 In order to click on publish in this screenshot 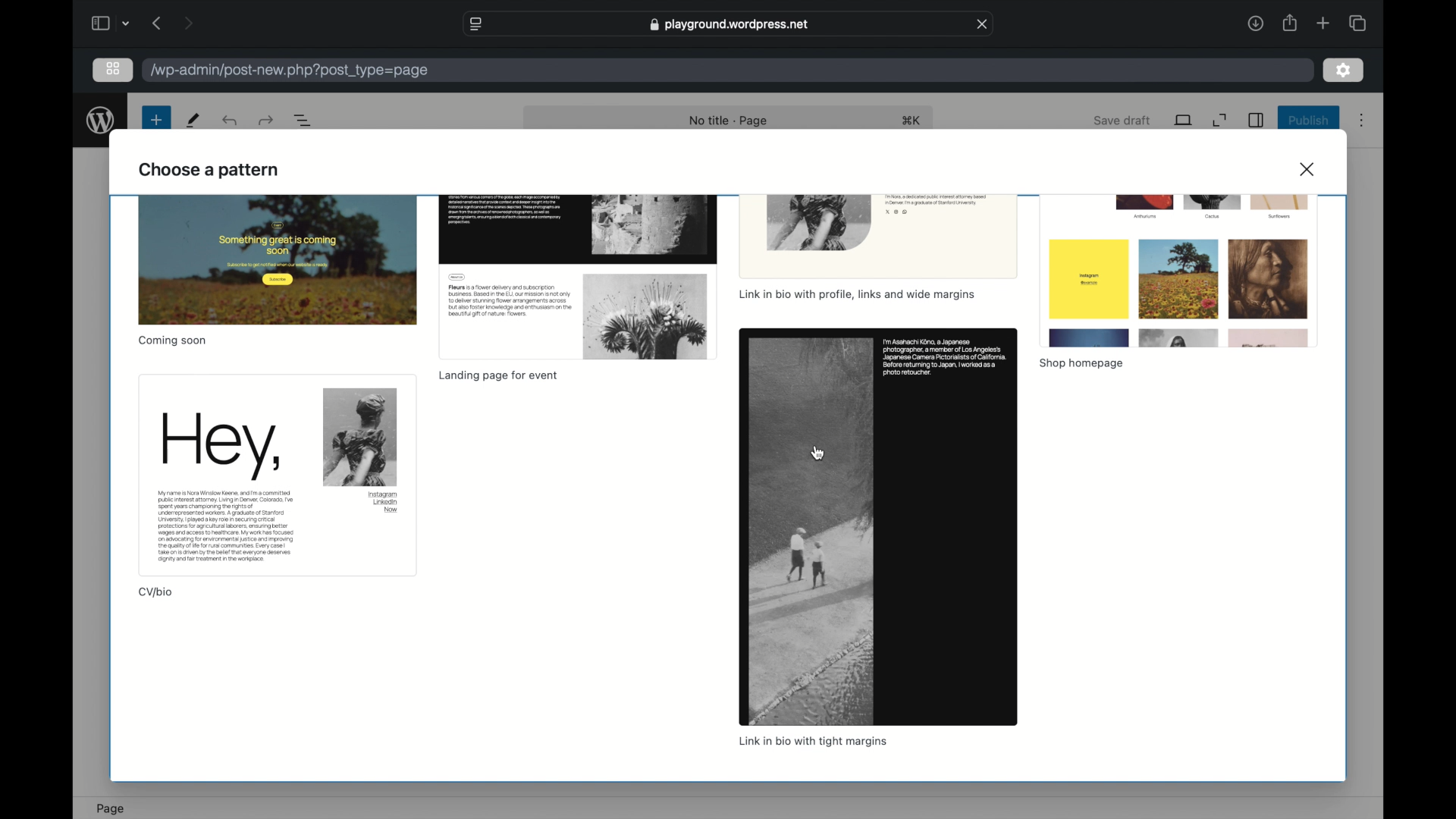, I will do `click(1309, 120)`.